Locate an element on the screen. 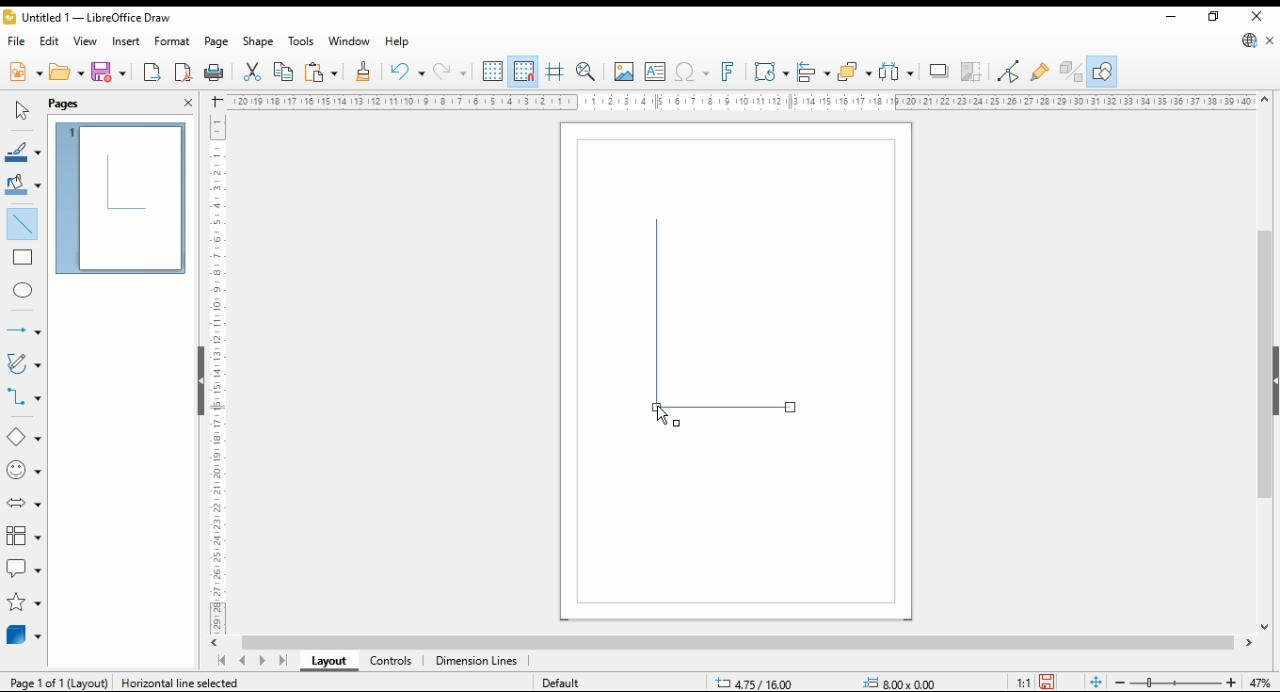 Image resolution: width=1280 pixels, height=692 pixels. minimize is located at coordinates (1171, 17).